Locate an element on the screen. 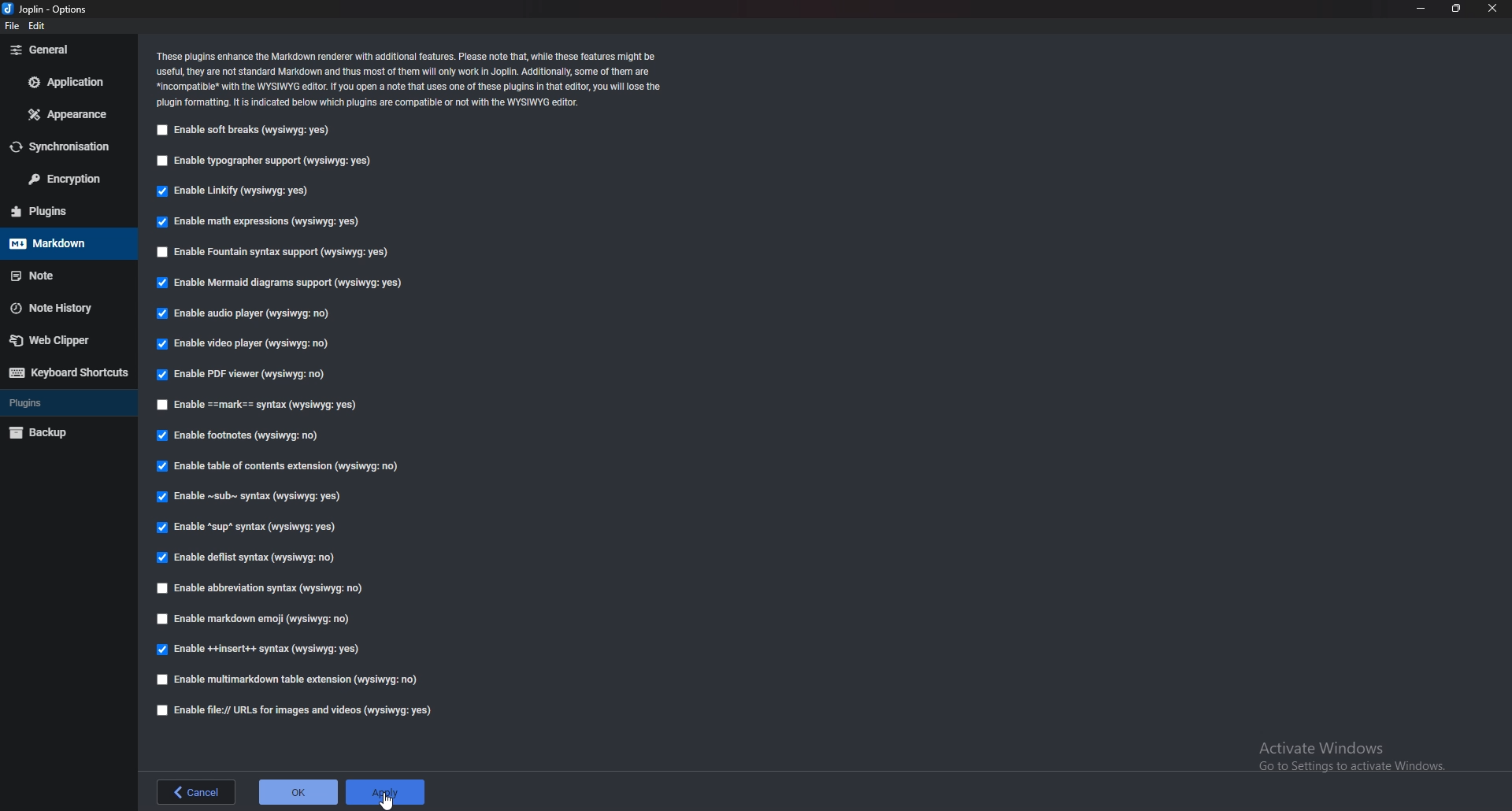 The image size is (1512, 811). back is located at coordinates (196, 791).